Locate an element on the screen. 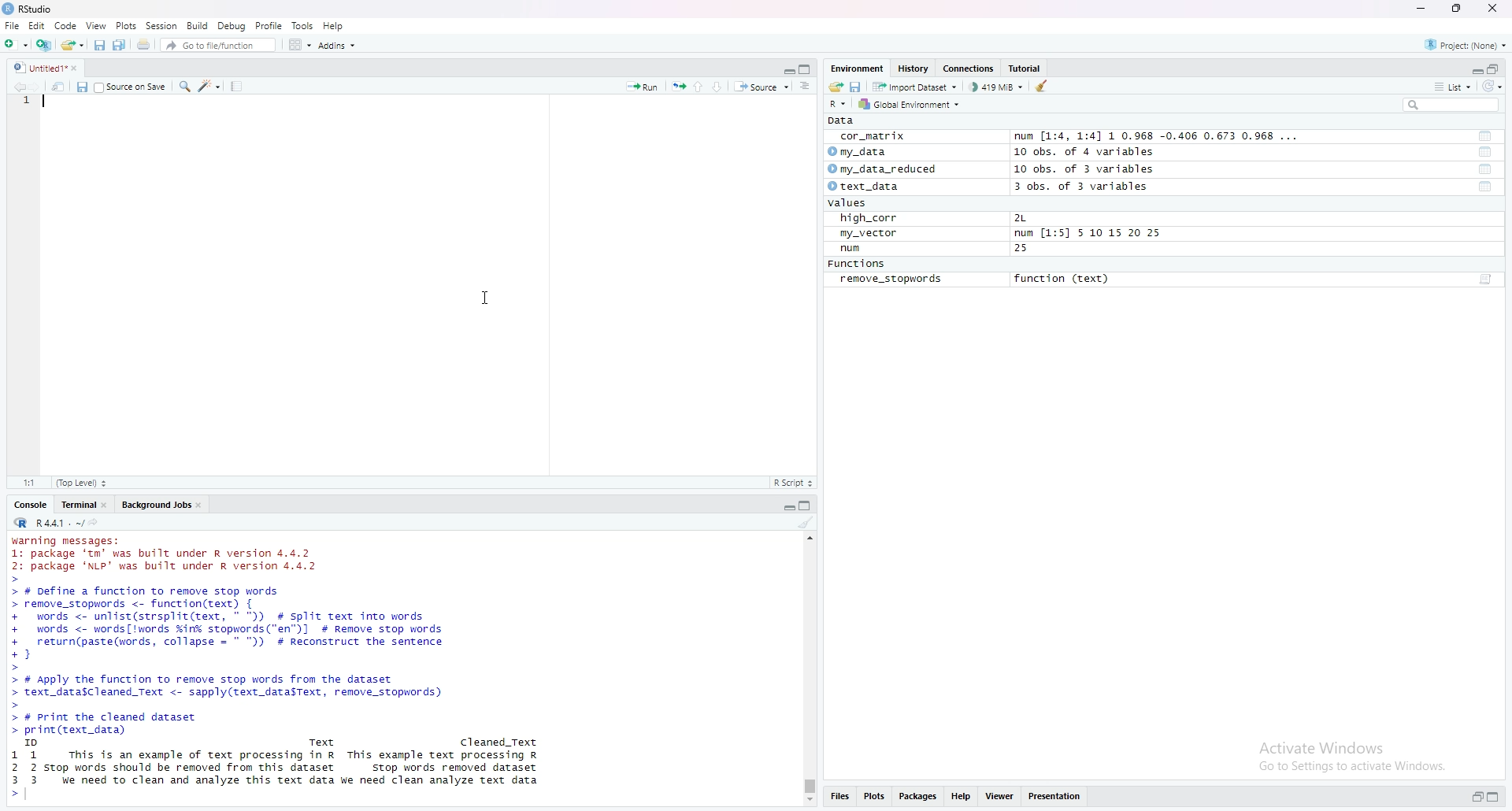 Image resolution: width=1512 pixels, height=811 pixels. Console is located at coordinates (31, 504).